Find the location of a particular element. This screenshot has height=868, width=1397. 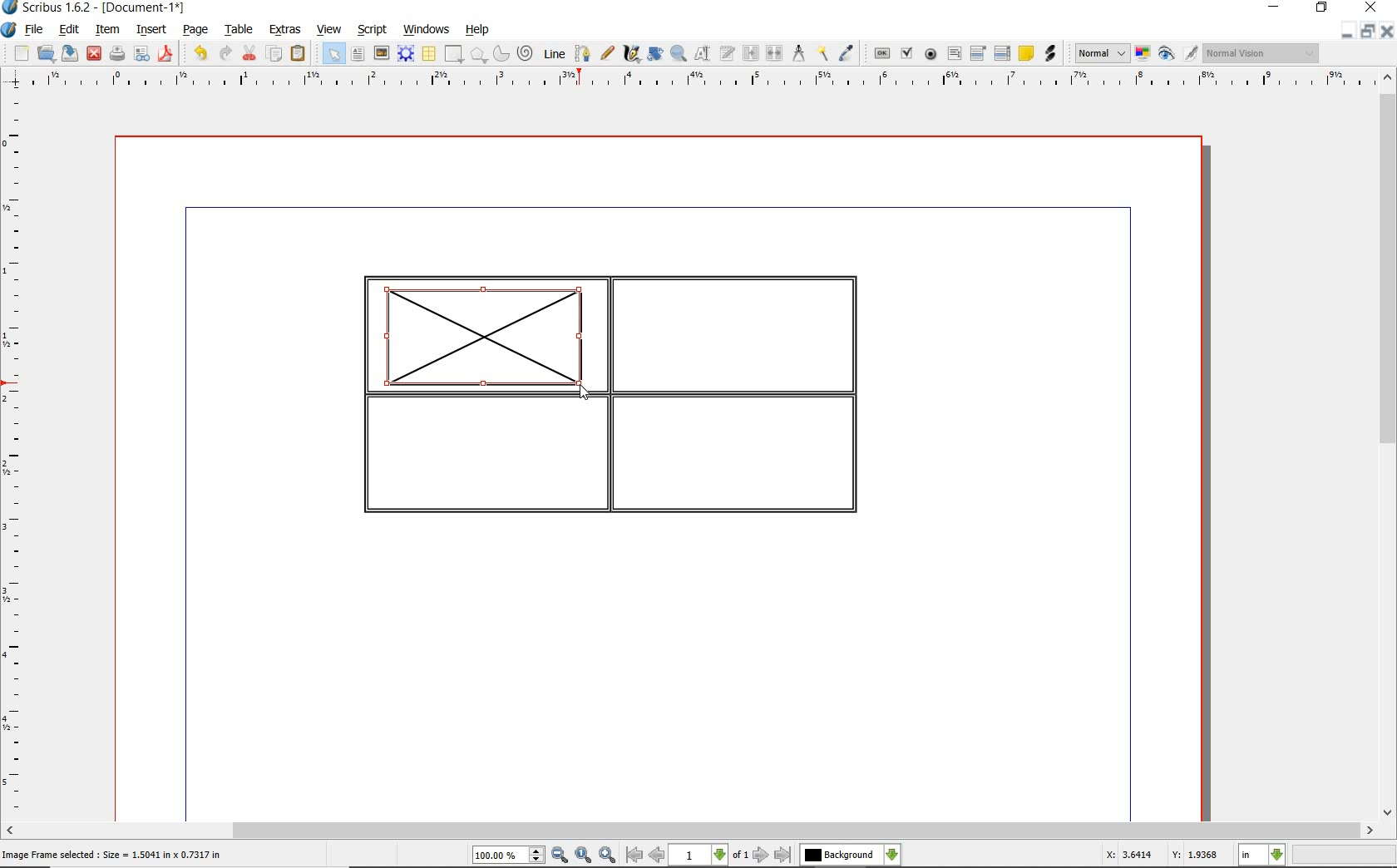

close is located at coordinates (93, 52).